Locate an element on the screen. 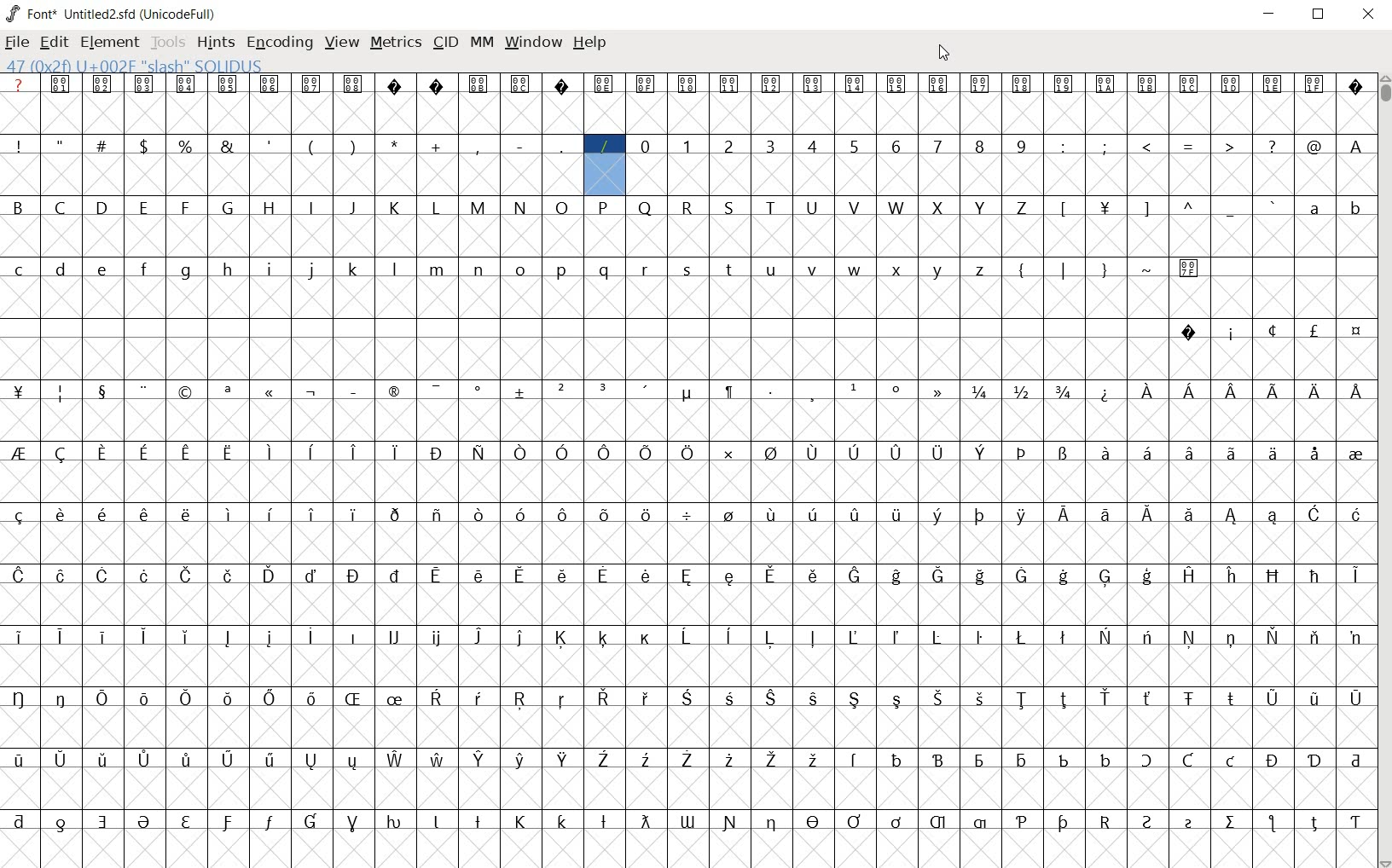  glyph is located at coordinates (772, 761).